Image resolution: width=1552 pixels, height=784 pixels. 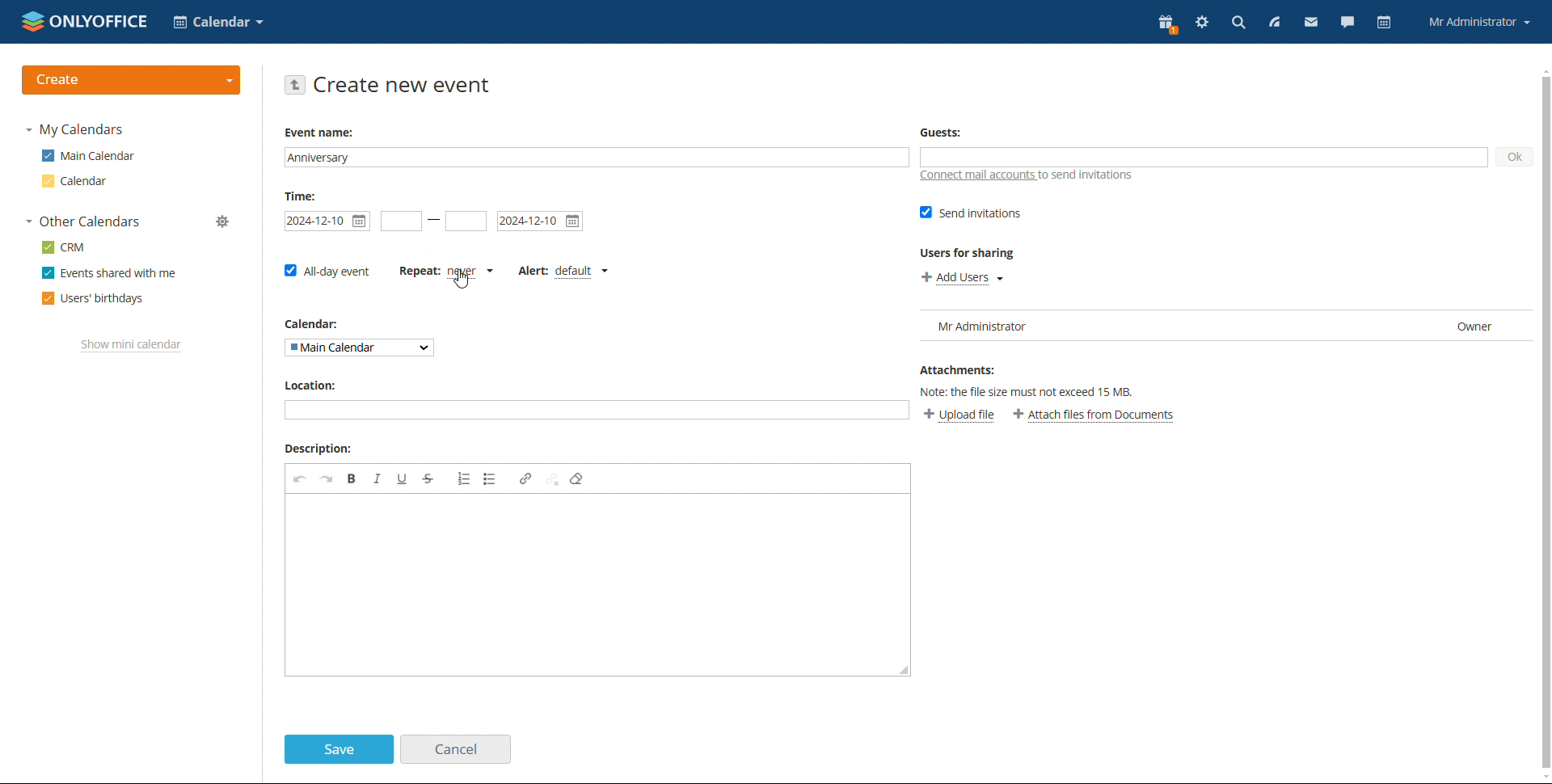 What do you see at coordinates (405, 86) in the screenshot?
I see `create new event` at bounding box center [405, 86].